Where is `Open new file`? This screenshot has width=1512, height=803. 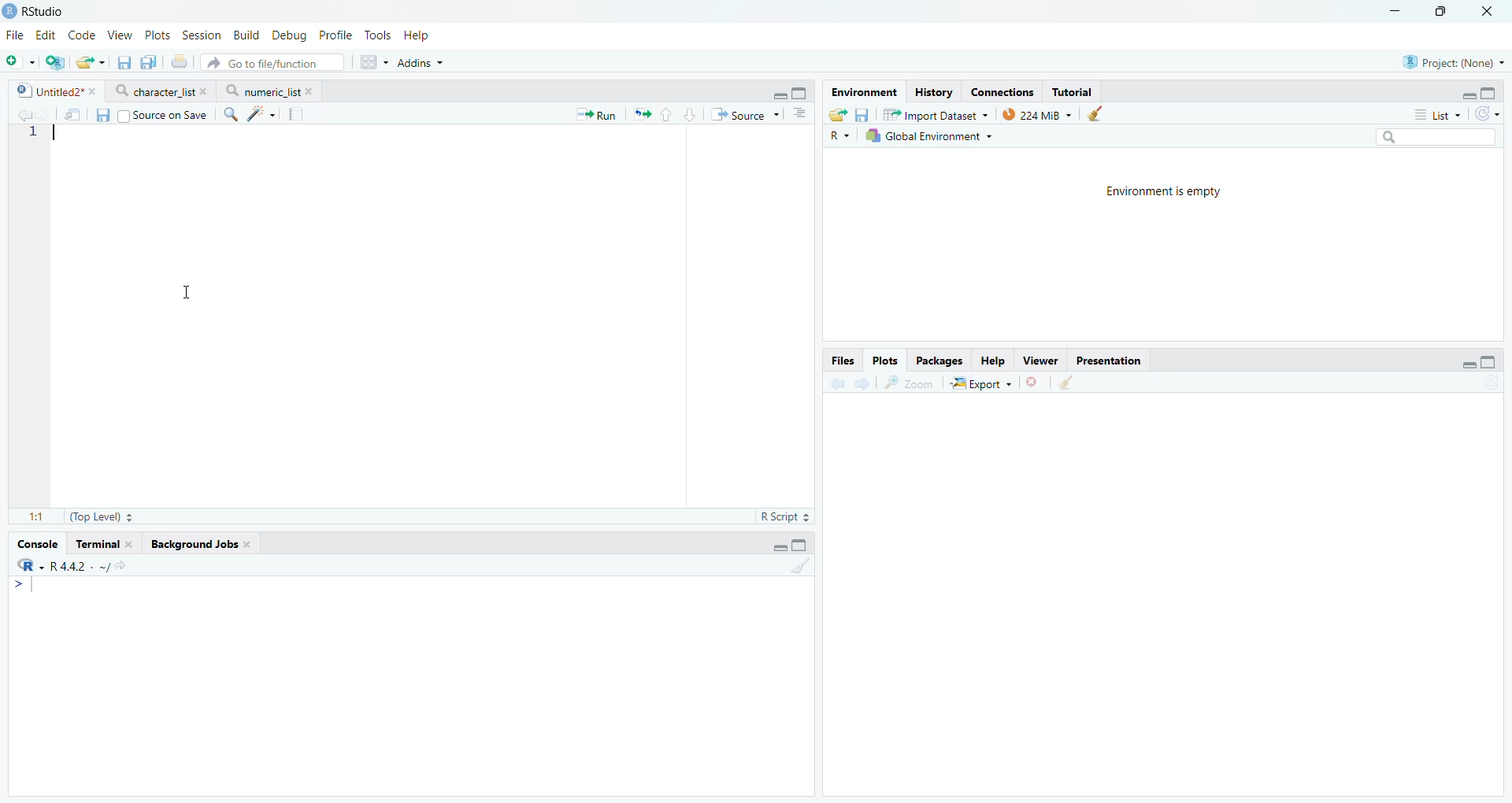
Open new file is located at coordinates (20, 62).